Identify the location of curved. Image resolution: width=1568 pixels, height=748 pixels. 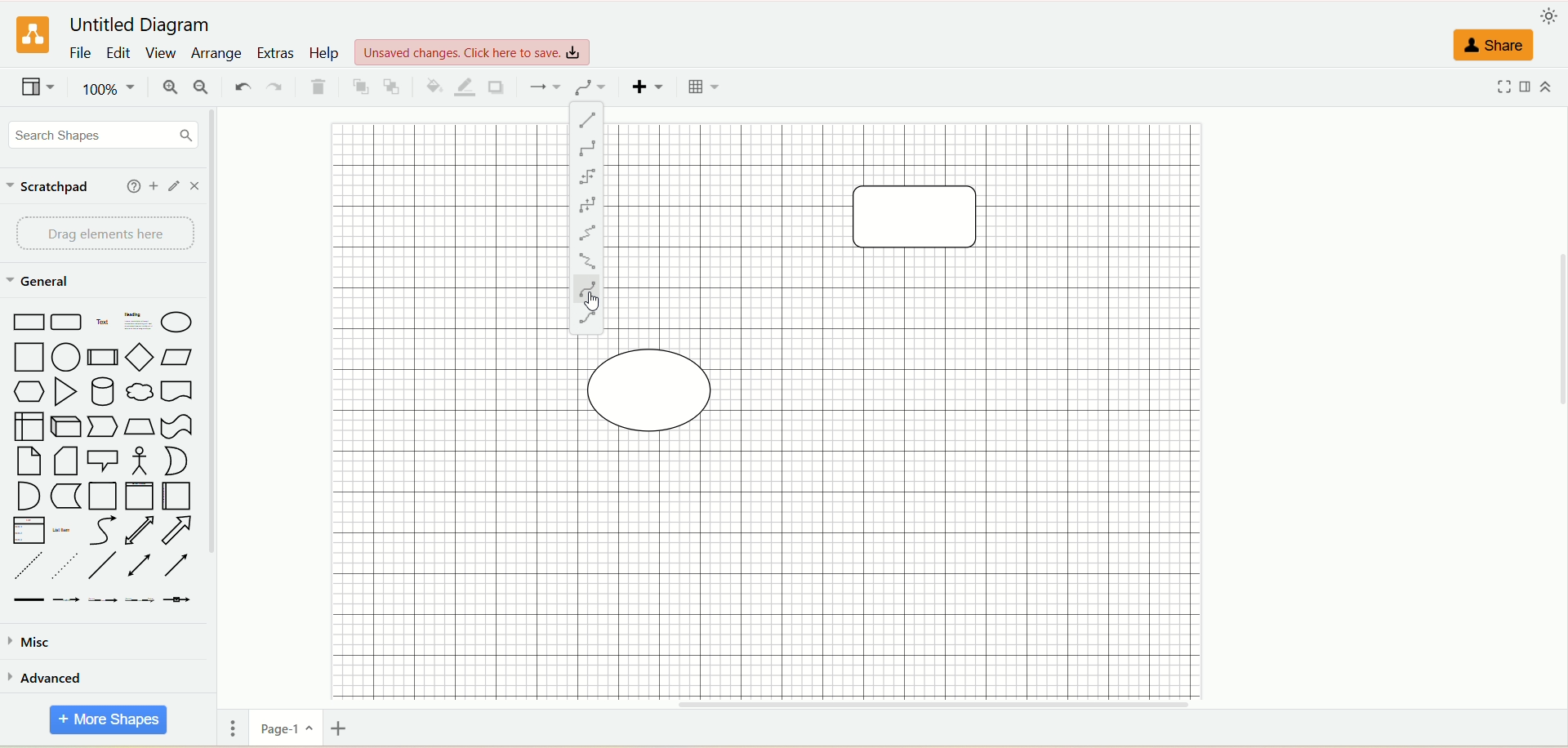
(586, 287).